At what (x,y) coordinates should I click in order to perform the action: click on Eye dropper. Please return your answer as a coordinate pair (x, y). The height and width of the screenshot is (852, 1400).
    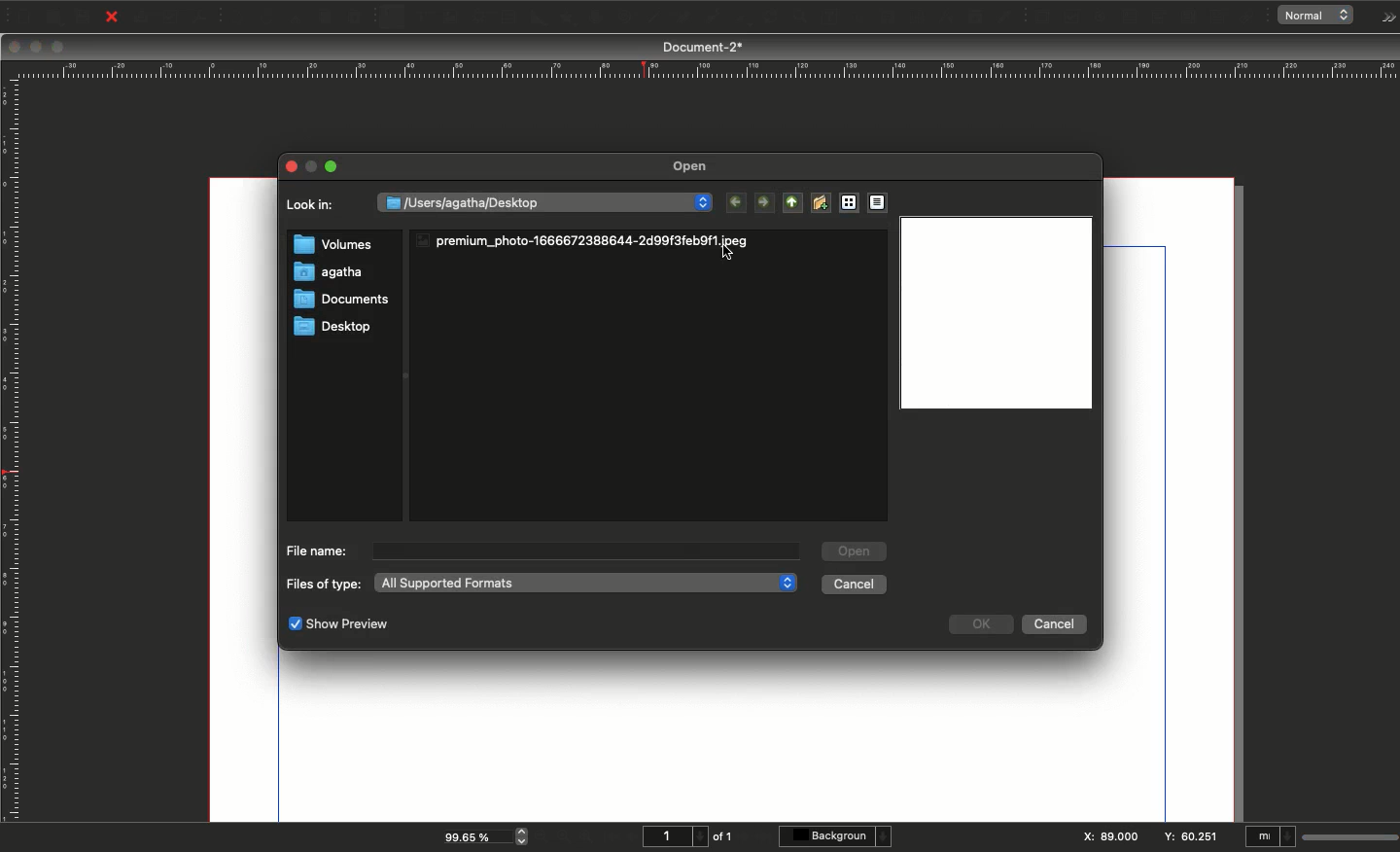
    Looking at the image, I should click on (1004, 18).